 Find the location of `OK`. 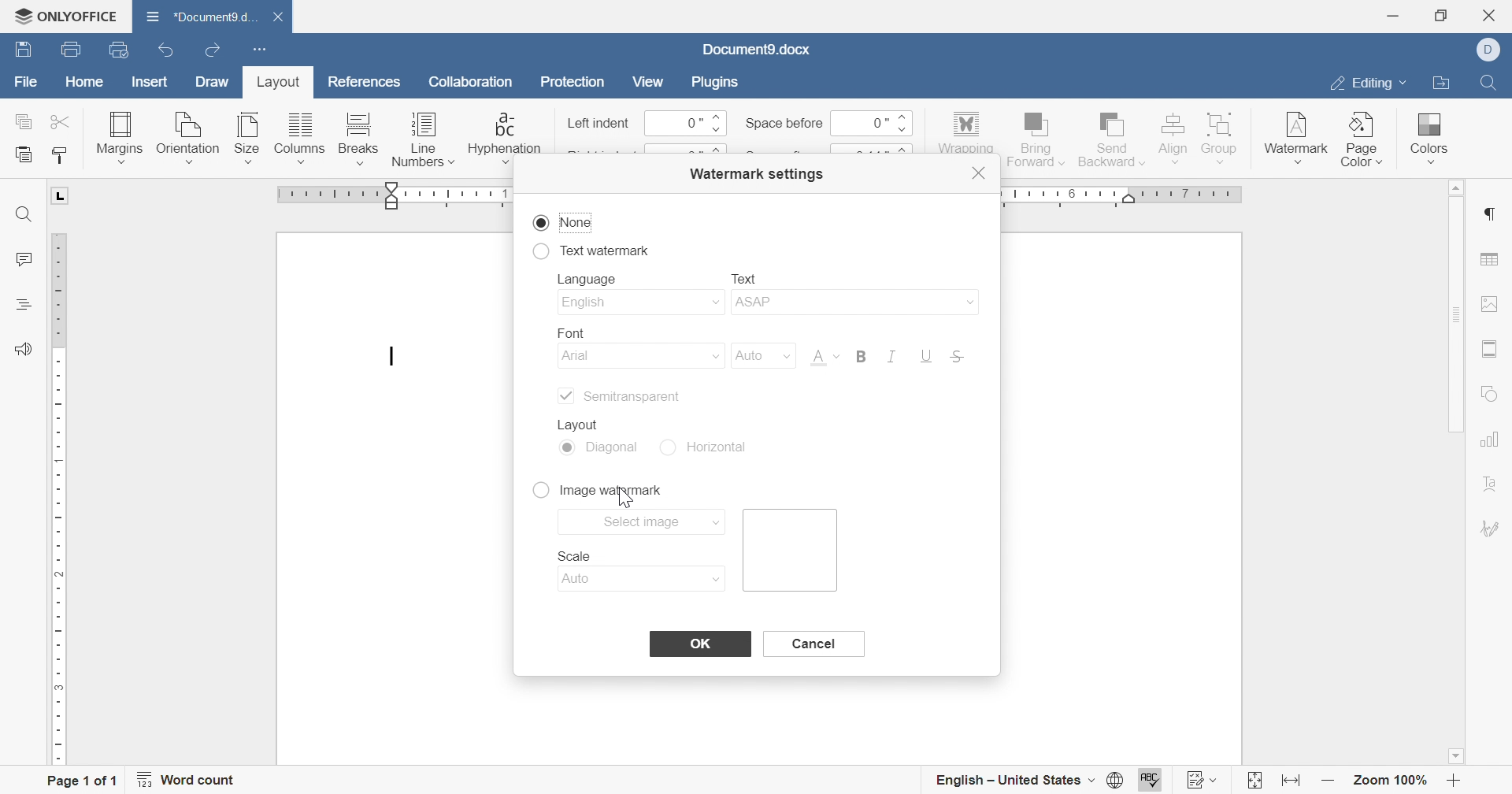

OK is located at coordinates (699, 644).